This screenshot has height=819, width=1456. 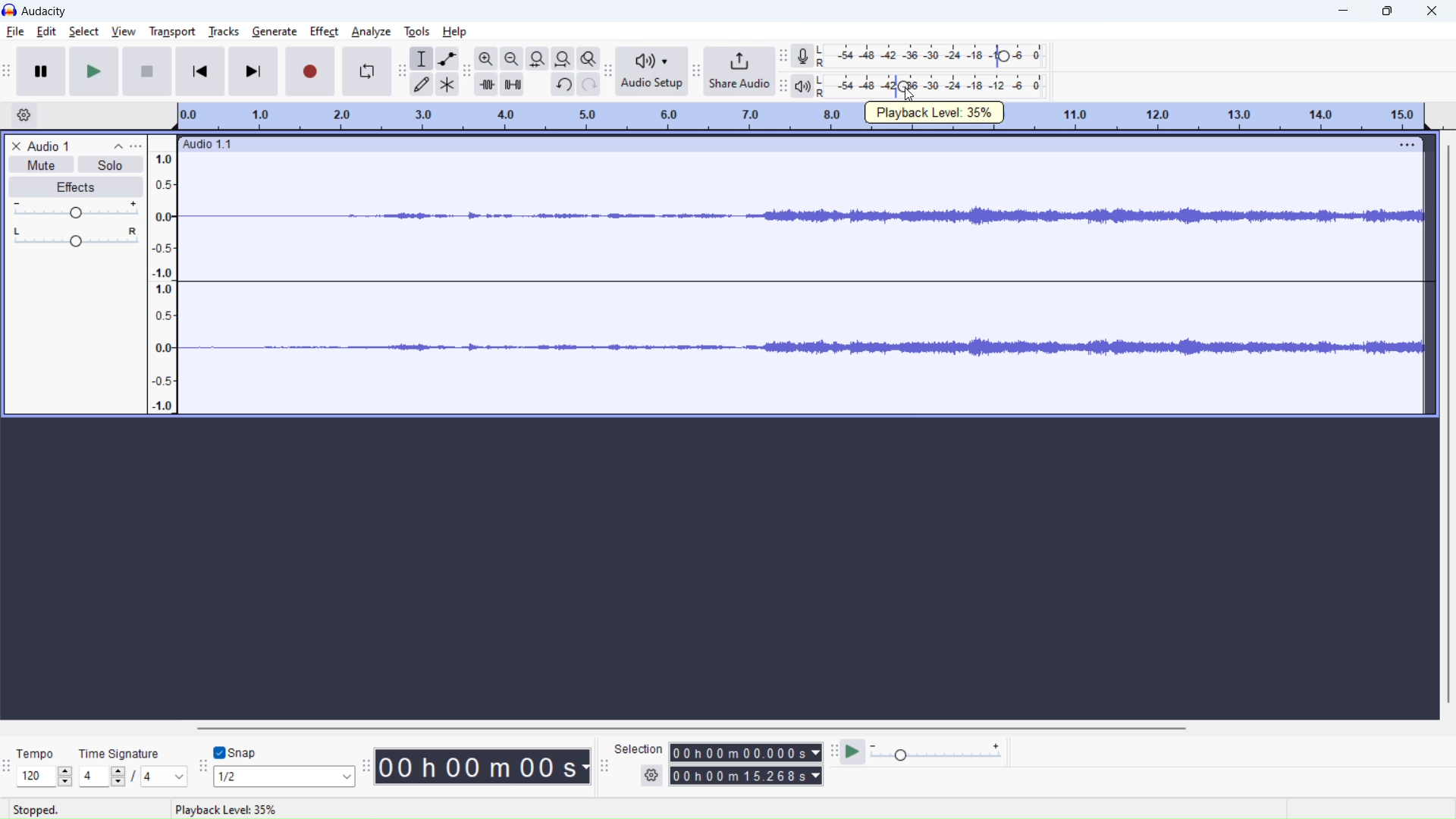 I want to click on end time, so click(x=745, y=776).